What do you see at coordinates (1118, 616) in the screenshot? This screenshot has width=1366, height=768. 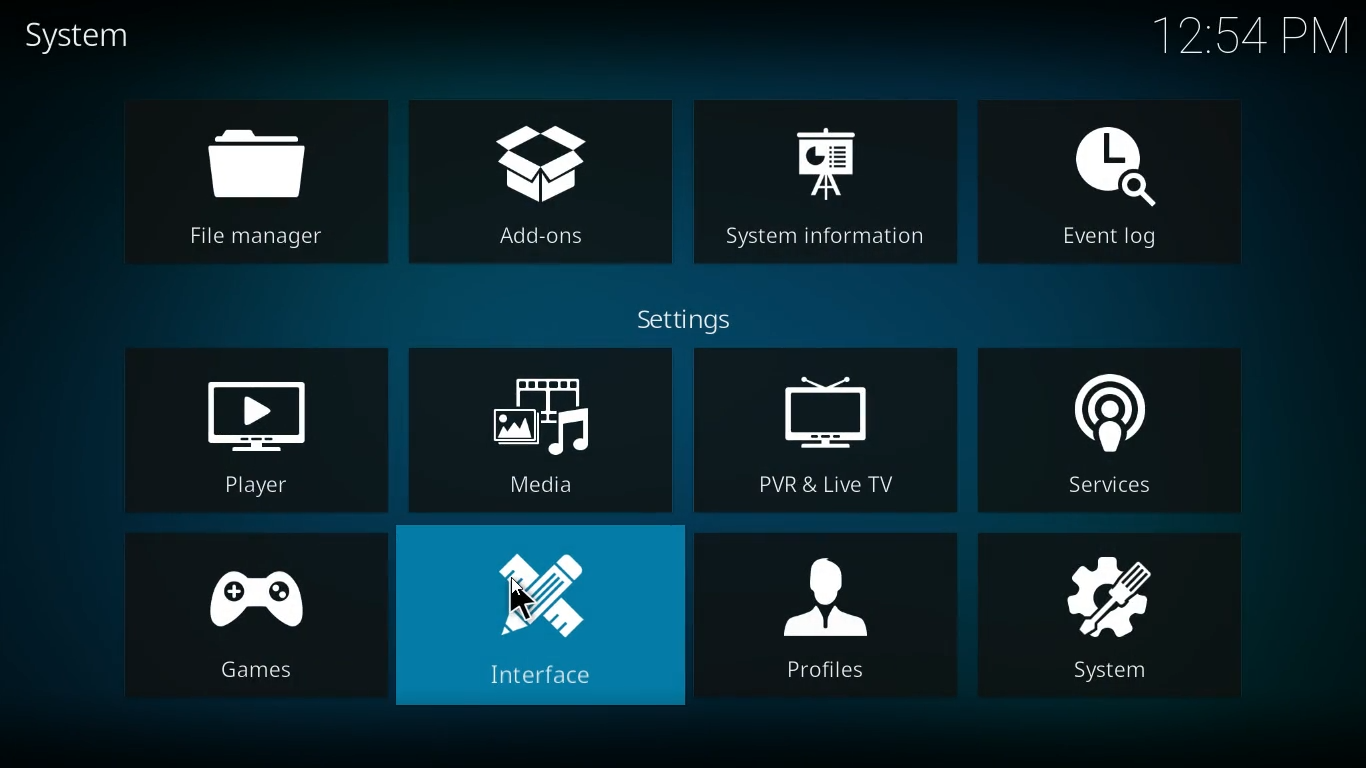 I see `system` at bounding box center [1118, 616].